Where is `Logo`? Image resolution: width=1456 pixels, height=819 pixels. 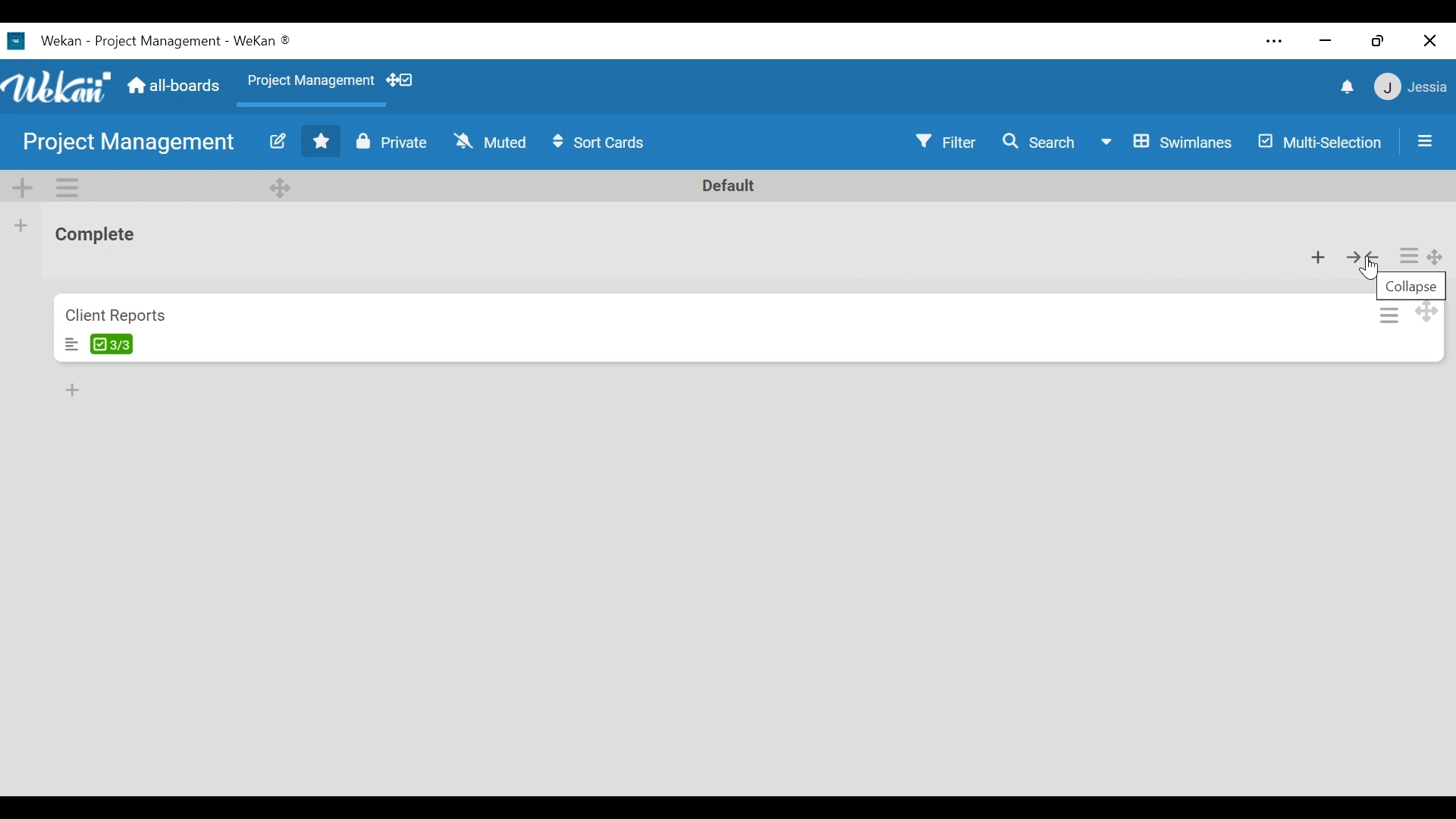 Logo is located at coordinates (58, 87).